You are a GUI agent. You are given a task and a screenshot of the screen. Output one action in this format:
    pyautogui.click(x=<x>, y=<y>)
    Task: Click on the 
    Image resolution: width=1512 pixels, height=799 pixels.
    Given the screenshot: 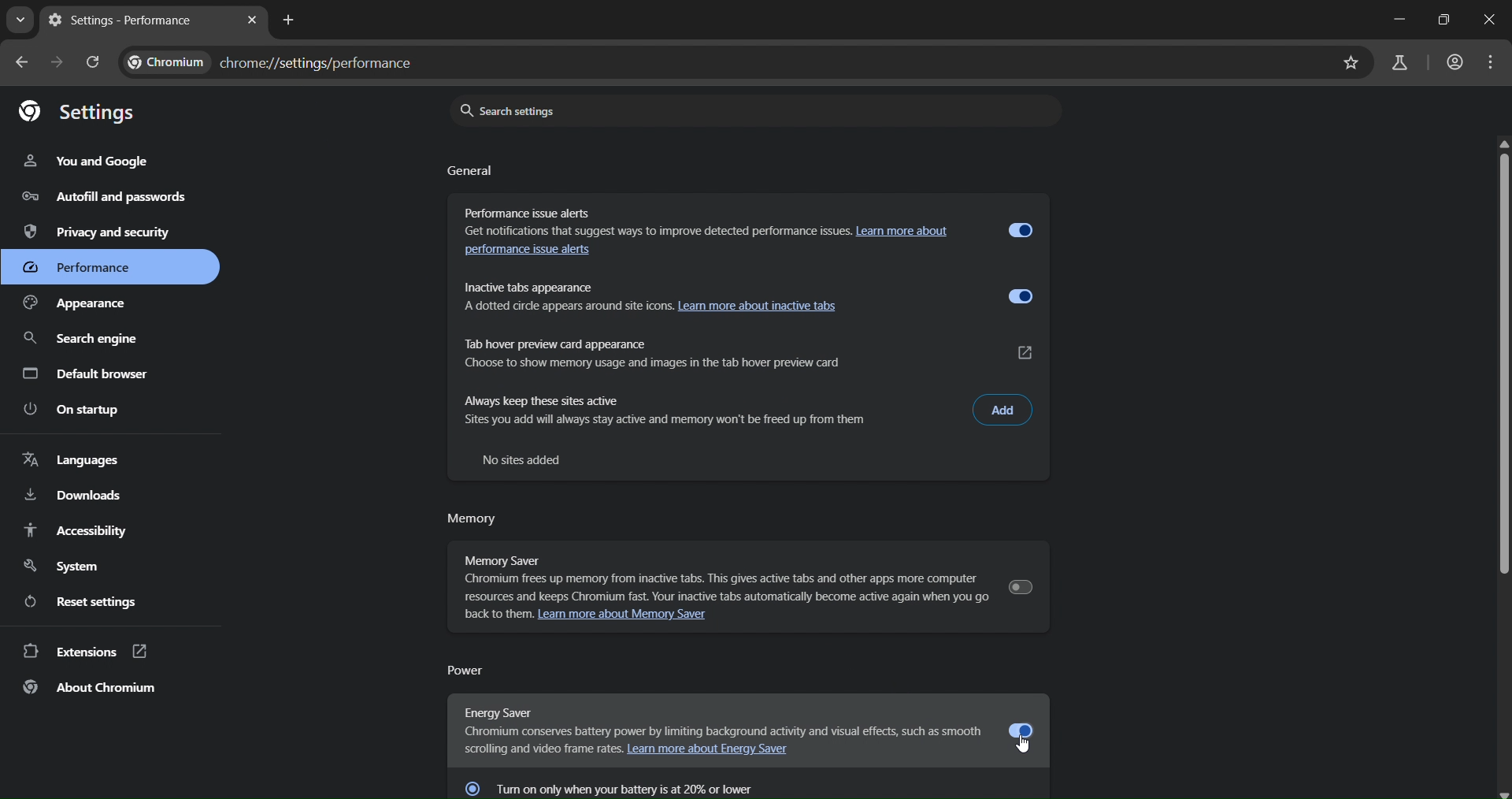 What is the action you would take?
    pyautogui.click(x=81, y=340)
    